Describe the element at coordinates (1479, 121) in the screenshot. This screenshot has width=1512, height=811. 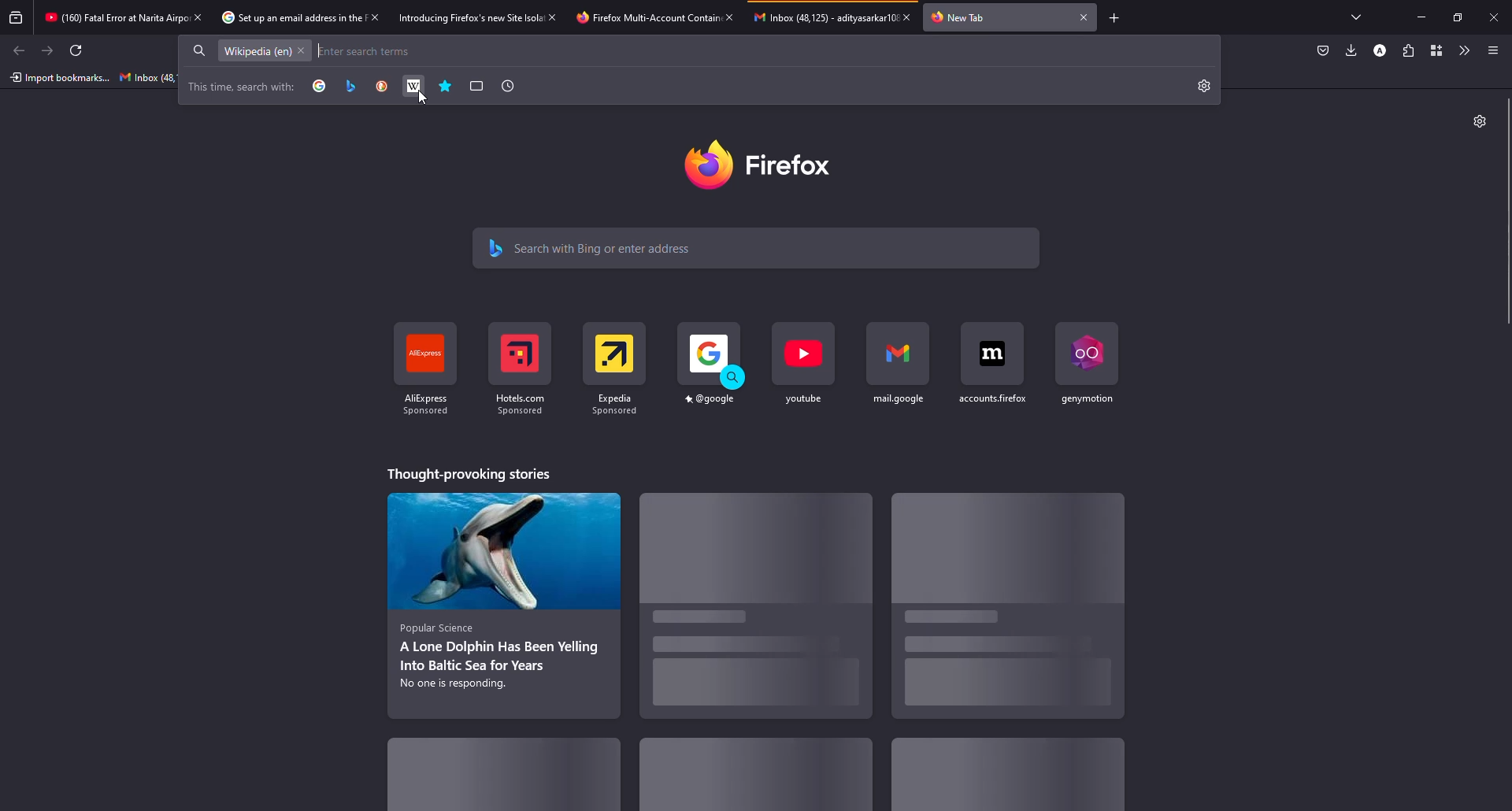
I see `settings` at that location.